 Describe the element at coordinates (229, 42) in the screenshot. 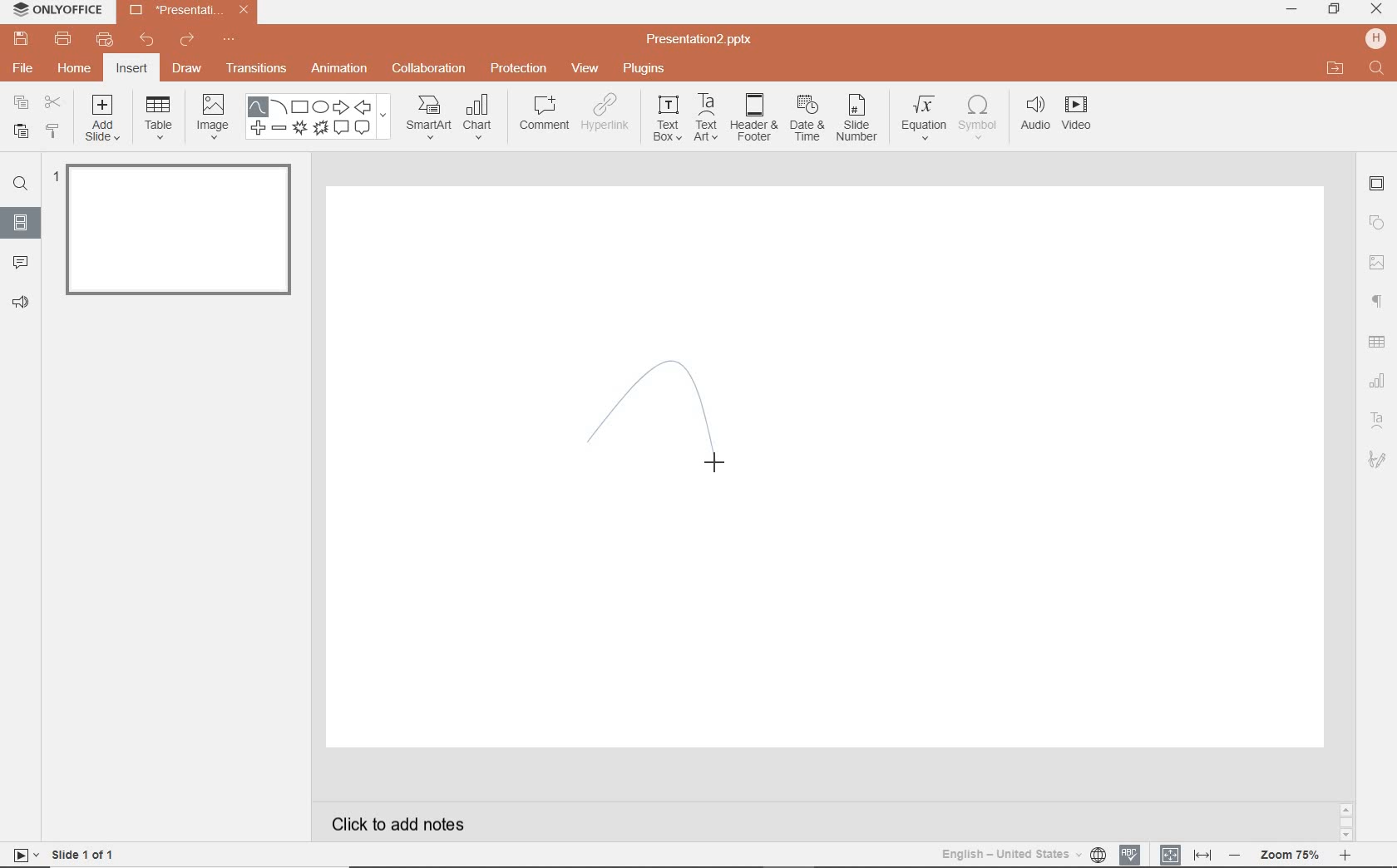

I see `CUSTOMIZE QUICK ACCESS TOOLBAR` at that location.